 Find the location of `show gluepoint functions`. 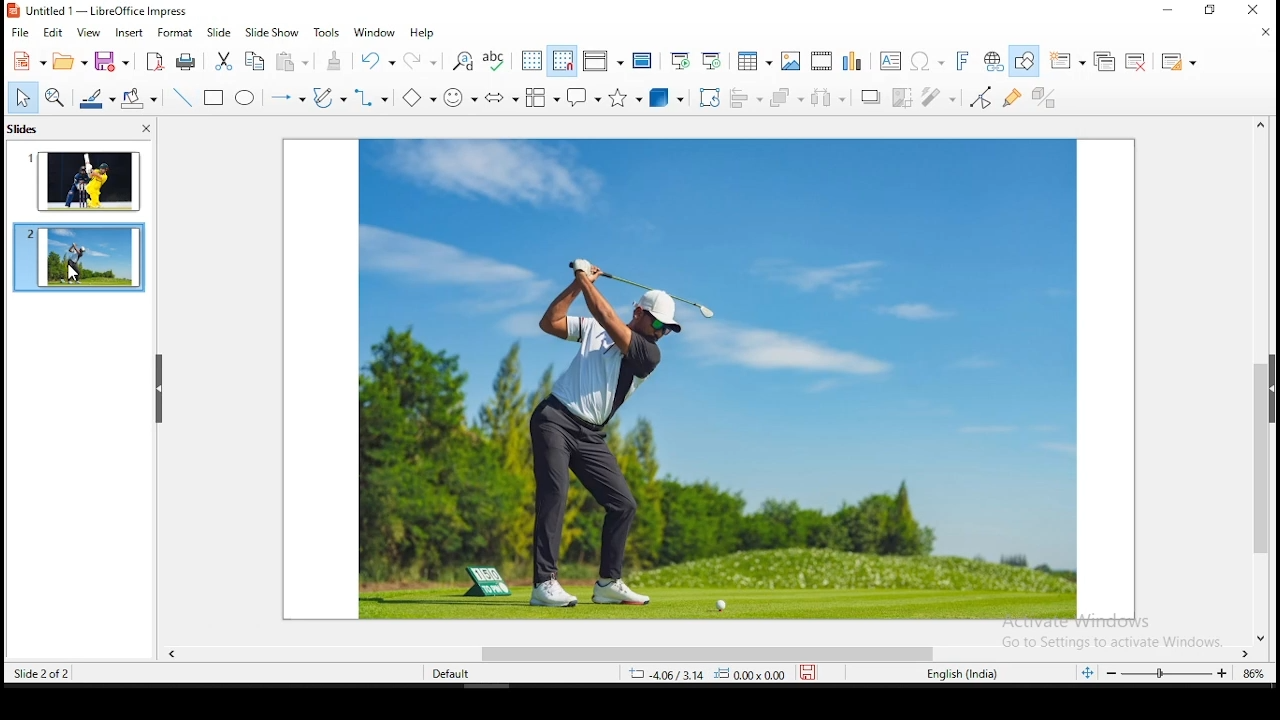

show gluepoint functions is located at coordinates (1013, 97).